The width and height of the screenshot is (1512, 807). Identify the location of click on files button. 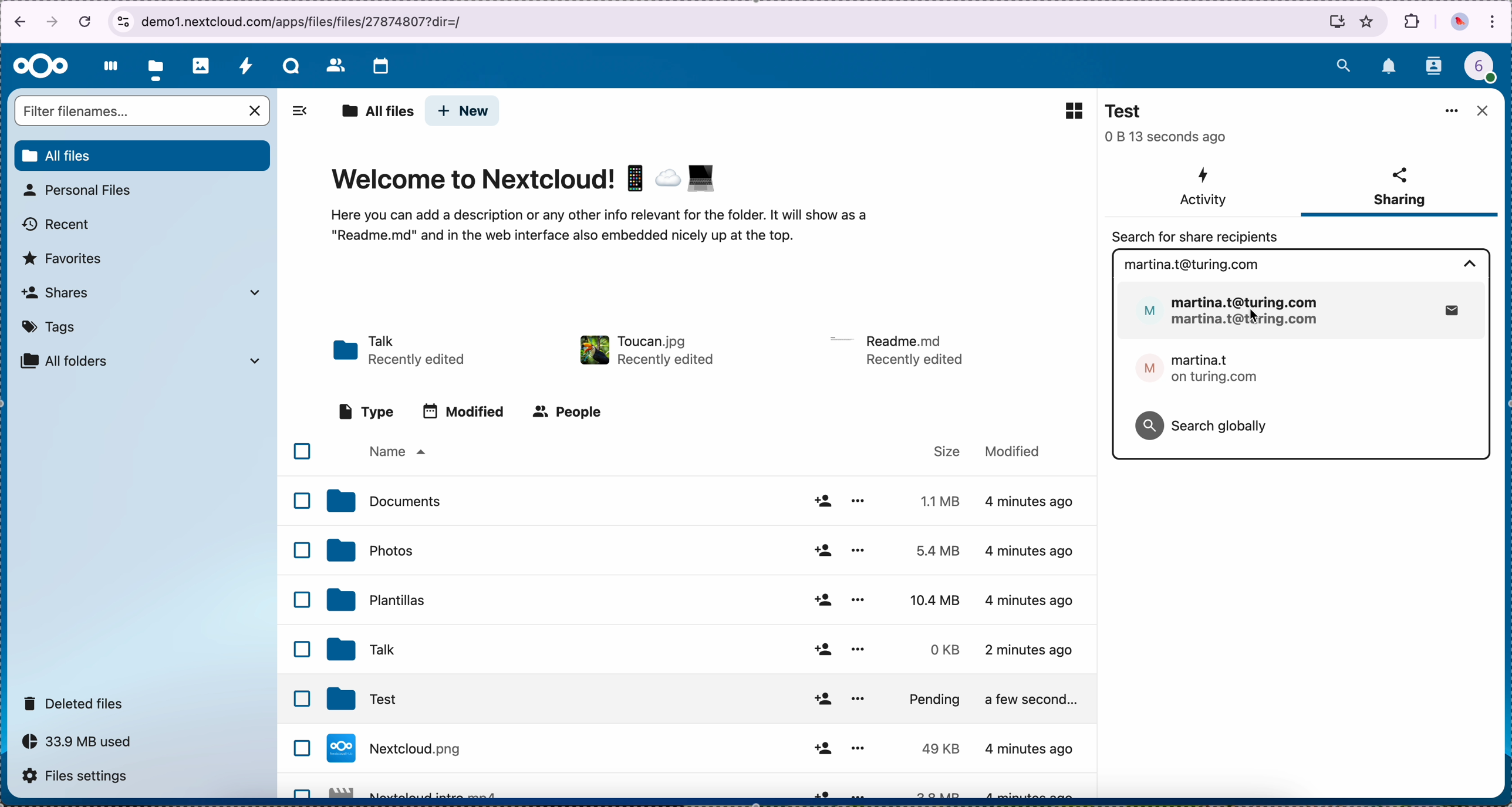
(158, 66).